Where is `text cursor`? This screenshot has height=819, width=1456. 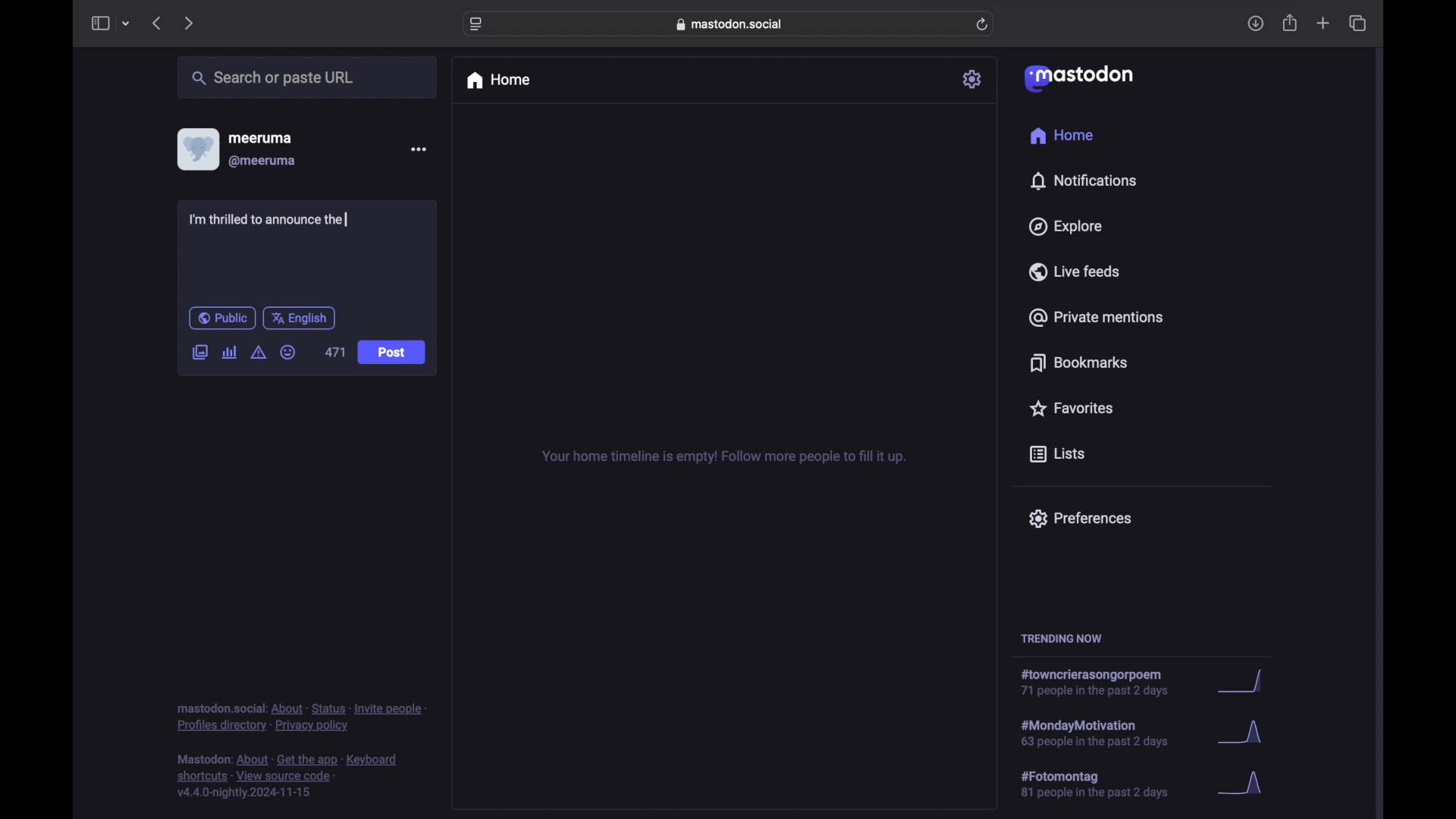
text cursor is located at coordinates (347, 220).